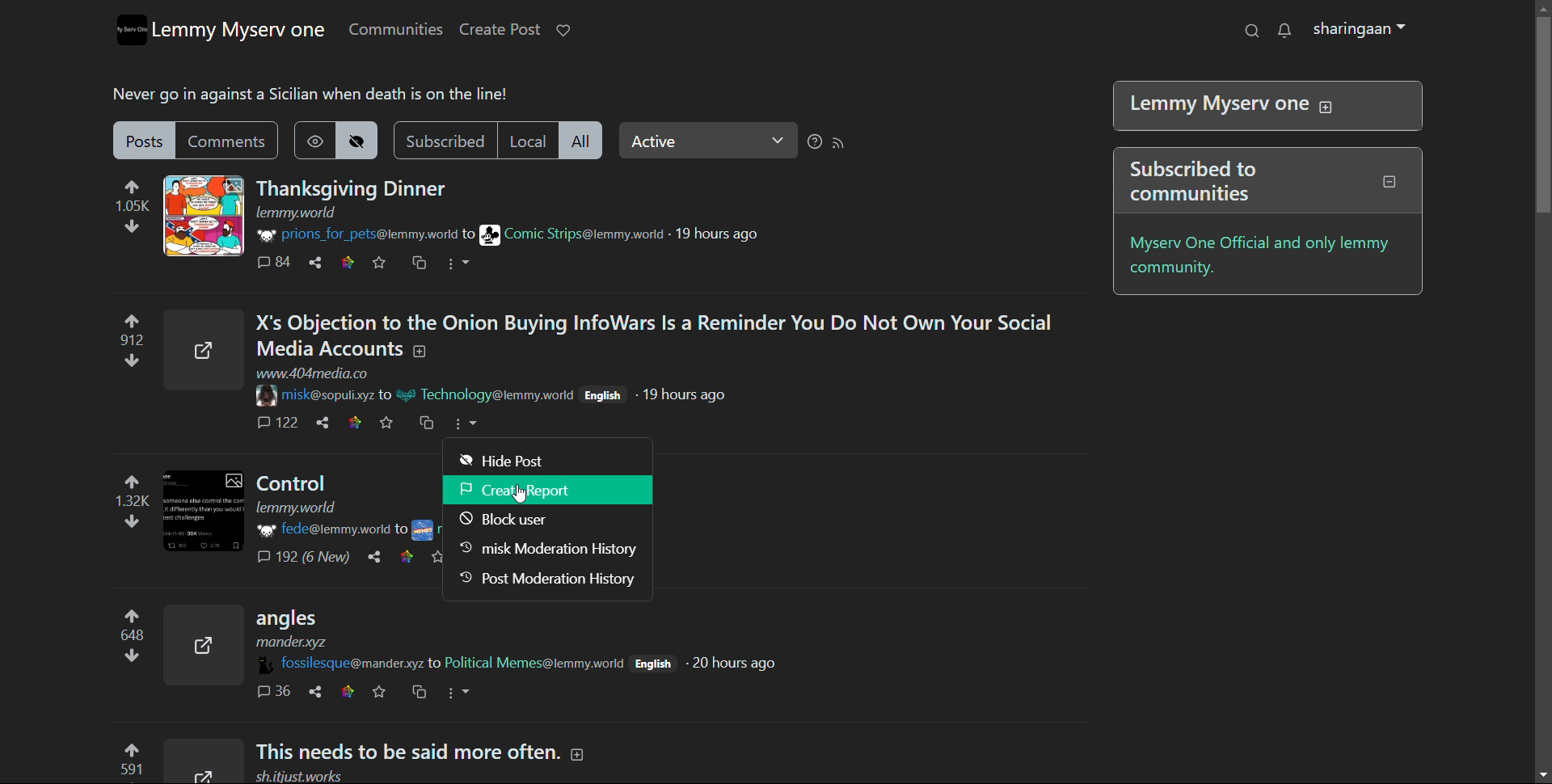 The image size is (1552, 784). What do you see at coordinates (527, 140) in the screenshot?
I see `local` at bounding box center [527, 140].